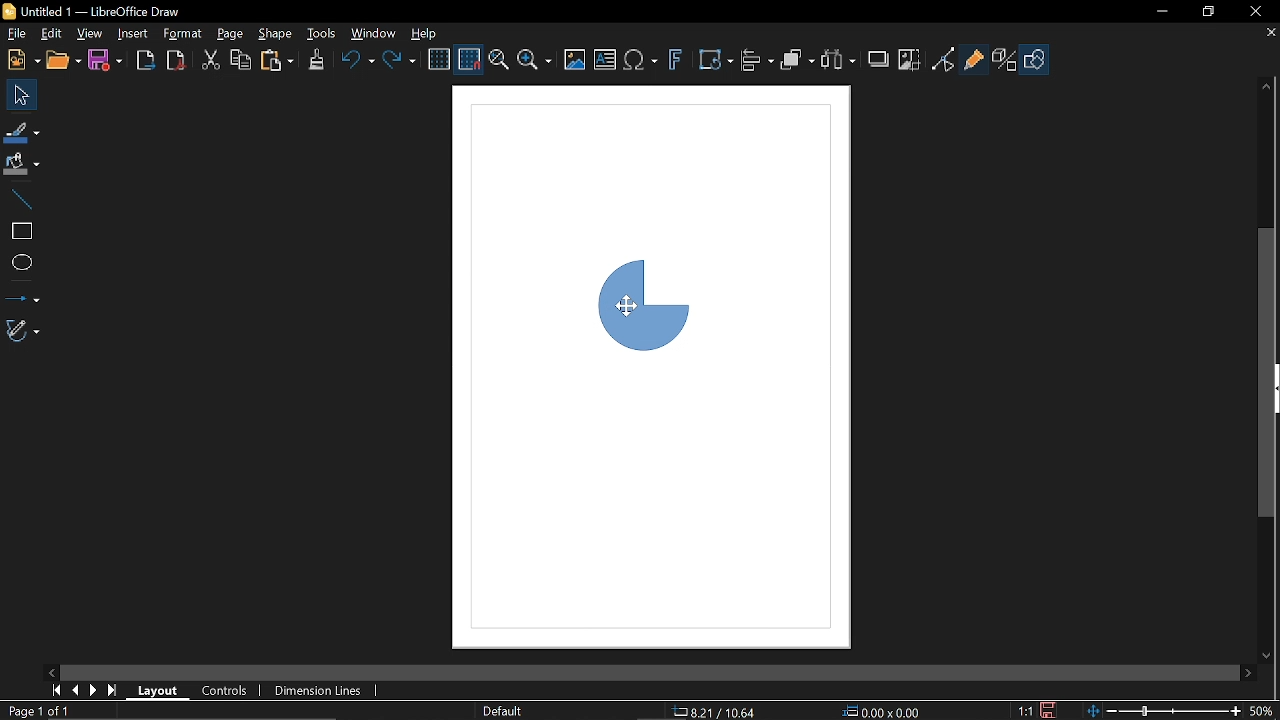 This screenshot has width=1280, height=720. I want to click on Line, so click(24, 201).